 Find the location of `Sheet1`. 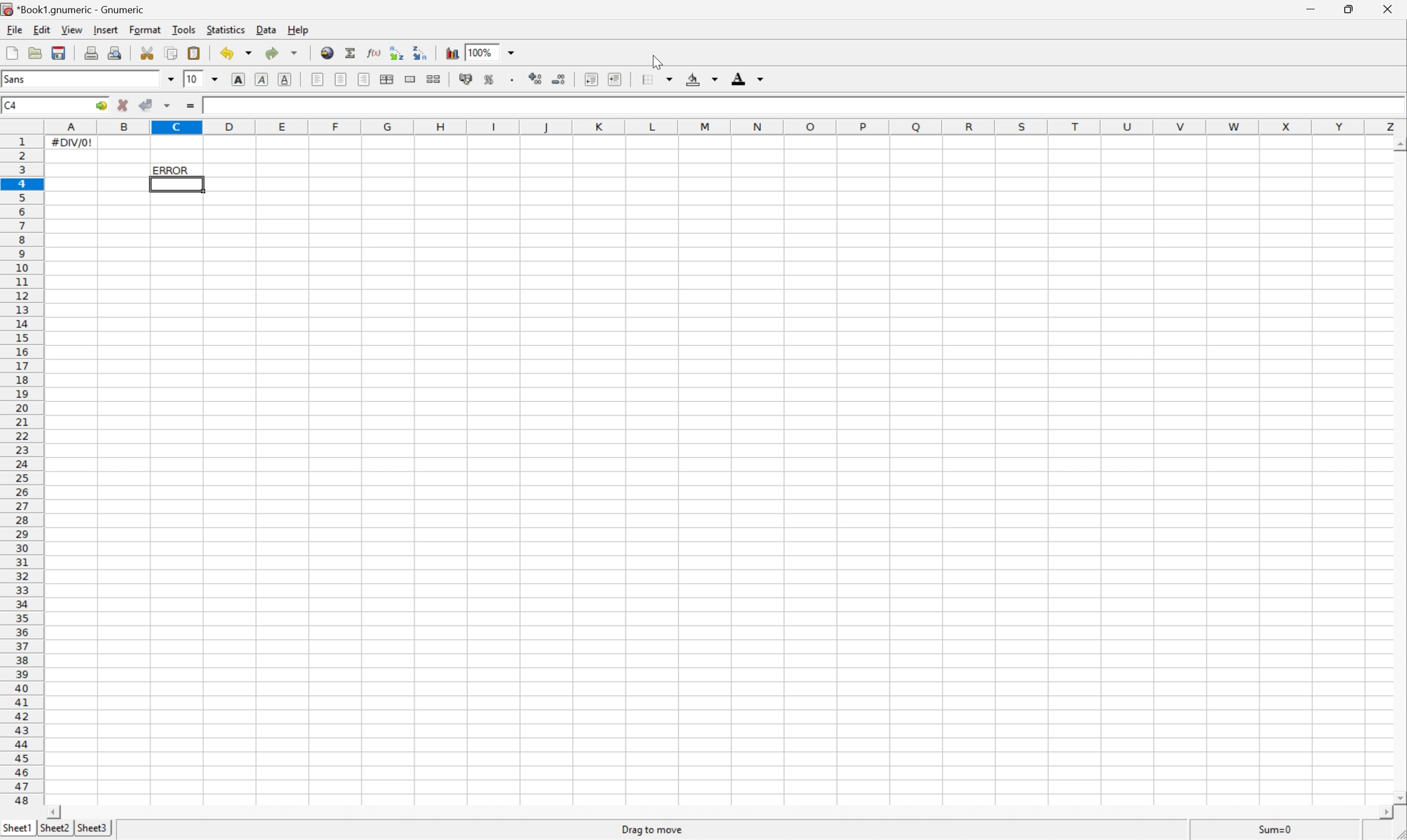

Sheet1 is located at coordinates (17, 828).